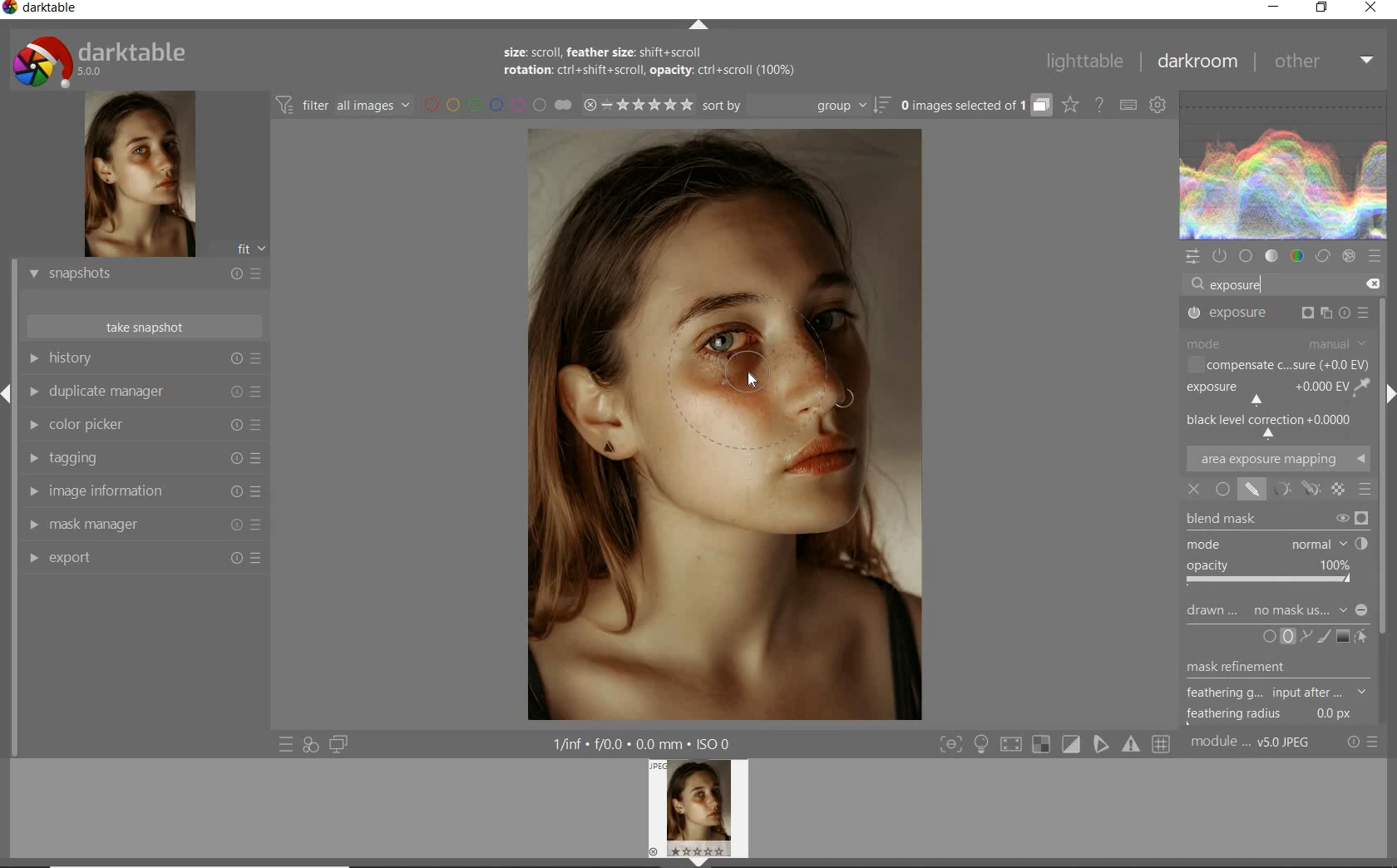 The height and width of the screenshot is (868, 1397). I want to click on COMPENSATE C...SURE, so click(1276, 364).